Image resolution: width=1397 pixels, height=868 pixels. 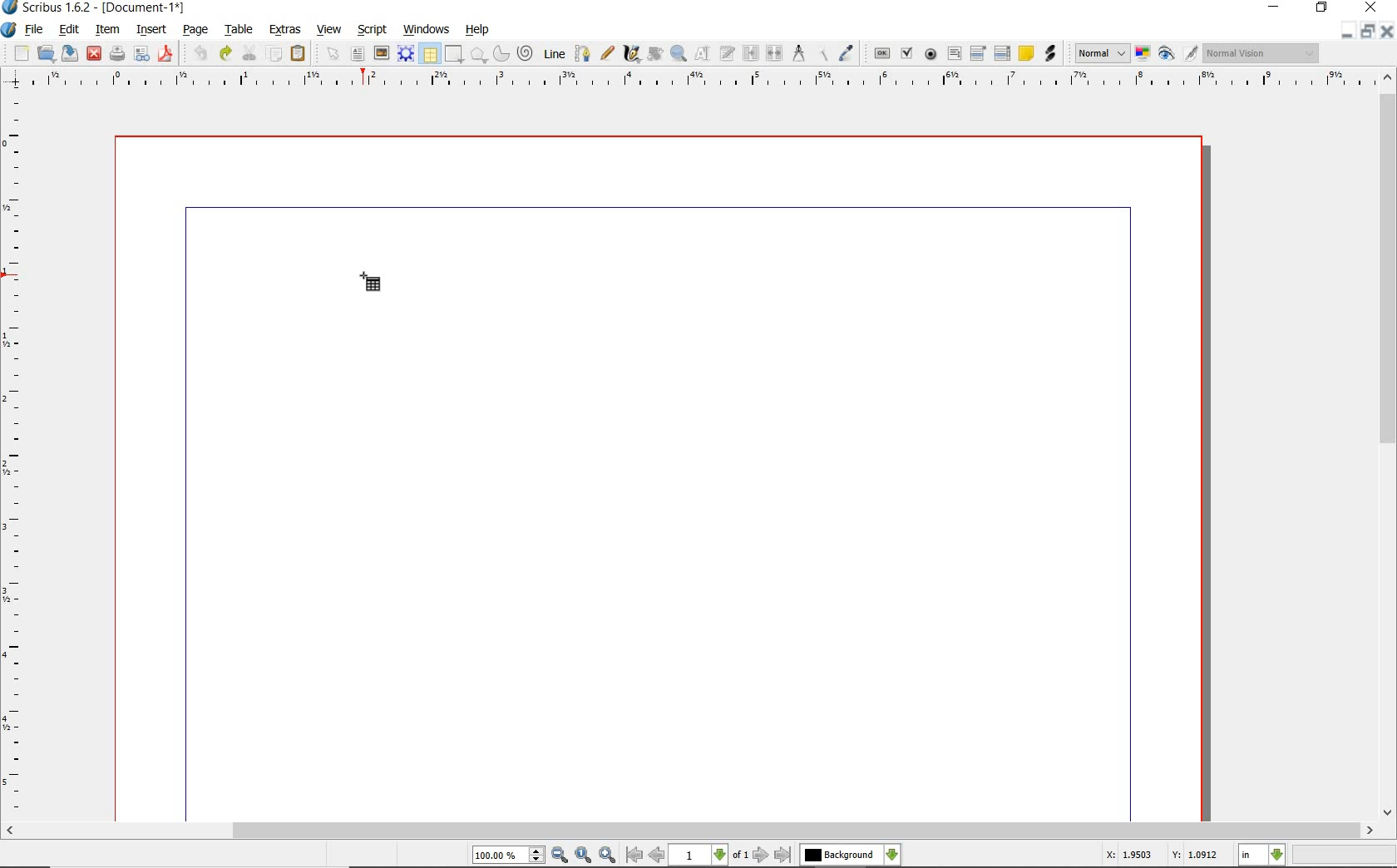 What do you see at coordinates (1386, 32) in the screenshot?
I see `close` at bounding box center [1386, 32].